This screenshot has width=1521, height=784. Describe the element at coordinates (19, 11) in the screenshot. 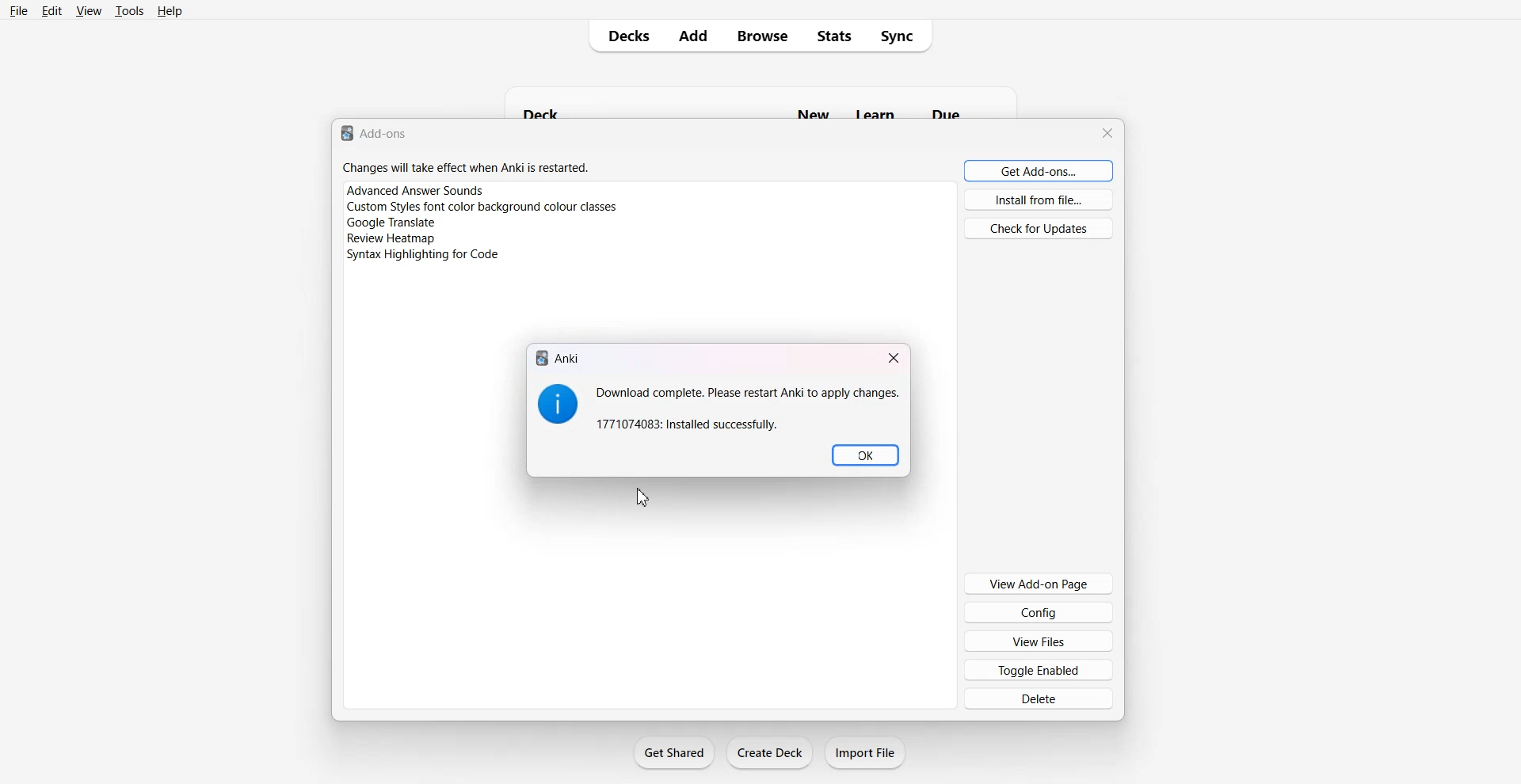

I see `File` at that location.